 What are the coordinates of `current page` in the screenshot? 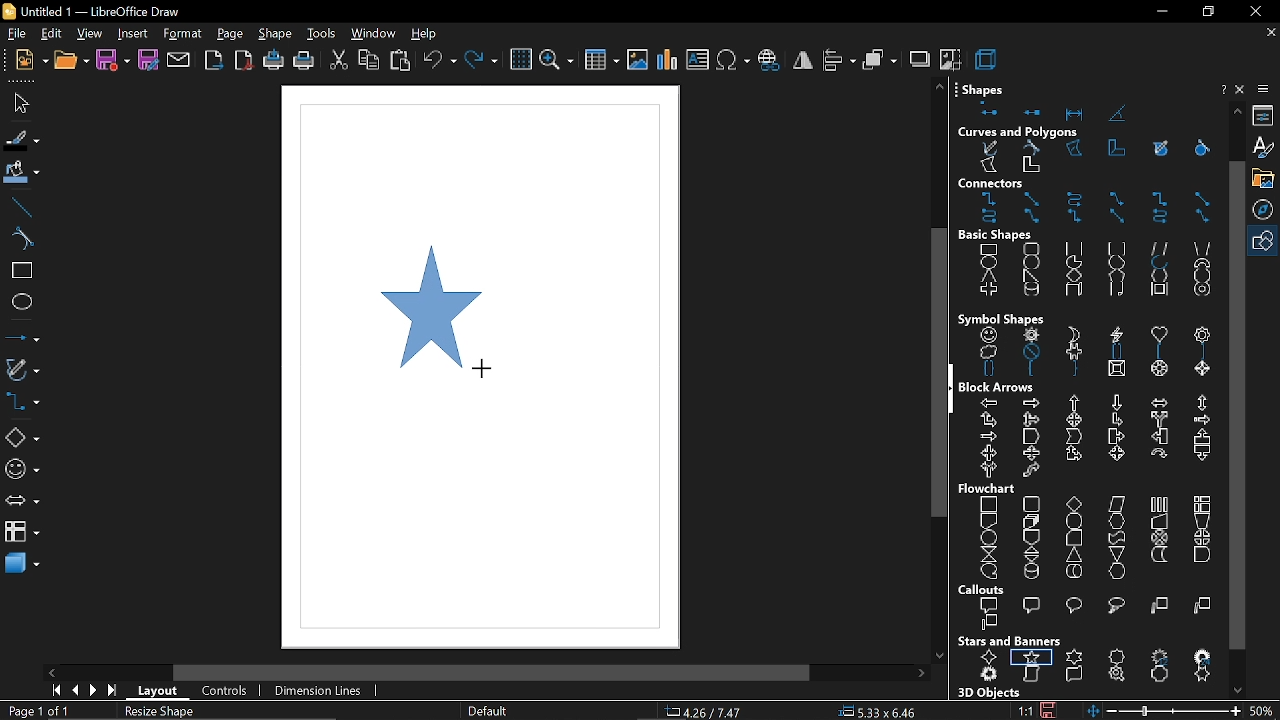 It's located at (35, 711).